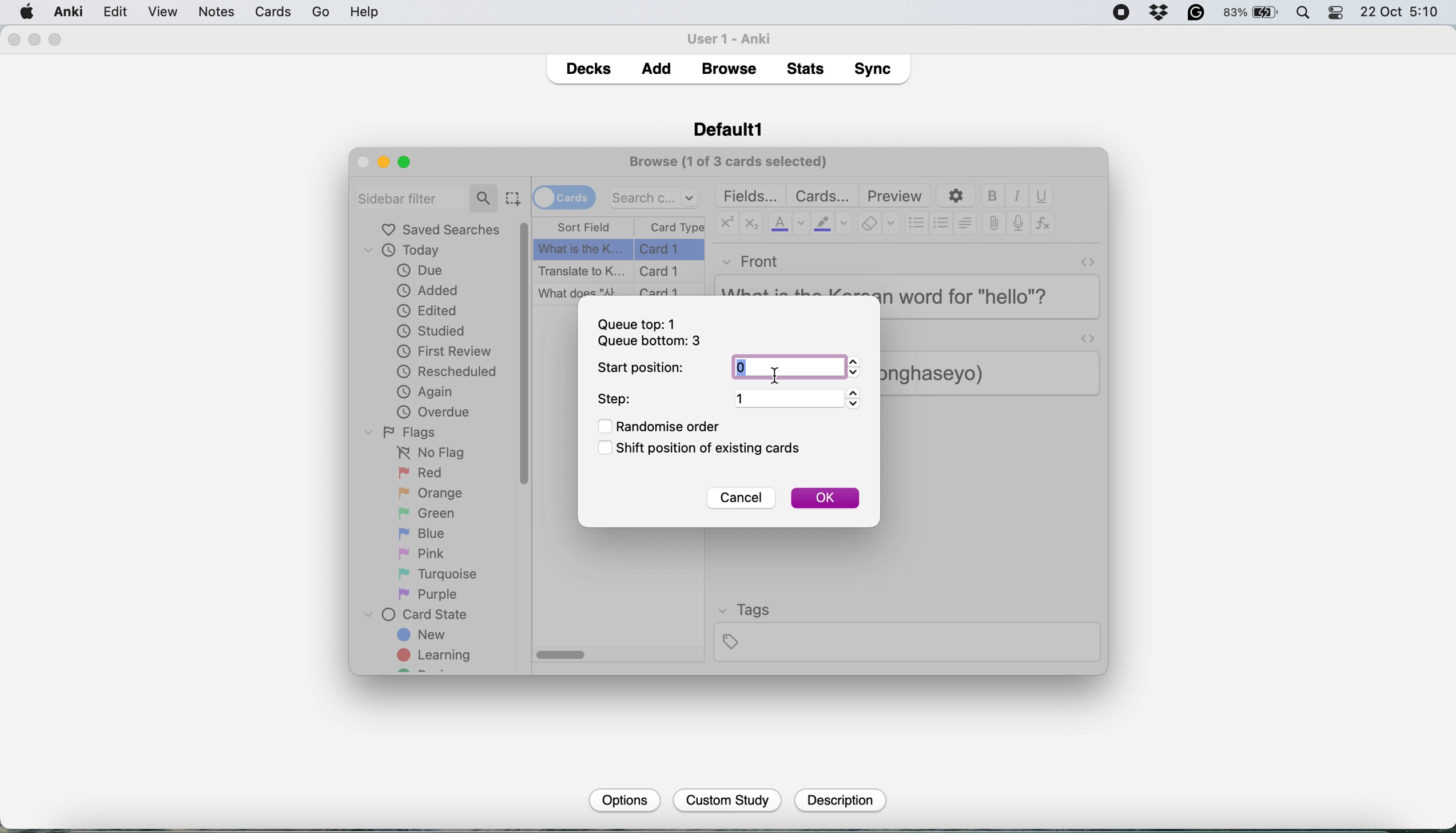 Image resolution: width=1456 pixels, height=833 pixels. I want to click on justify, so click(965, 223).